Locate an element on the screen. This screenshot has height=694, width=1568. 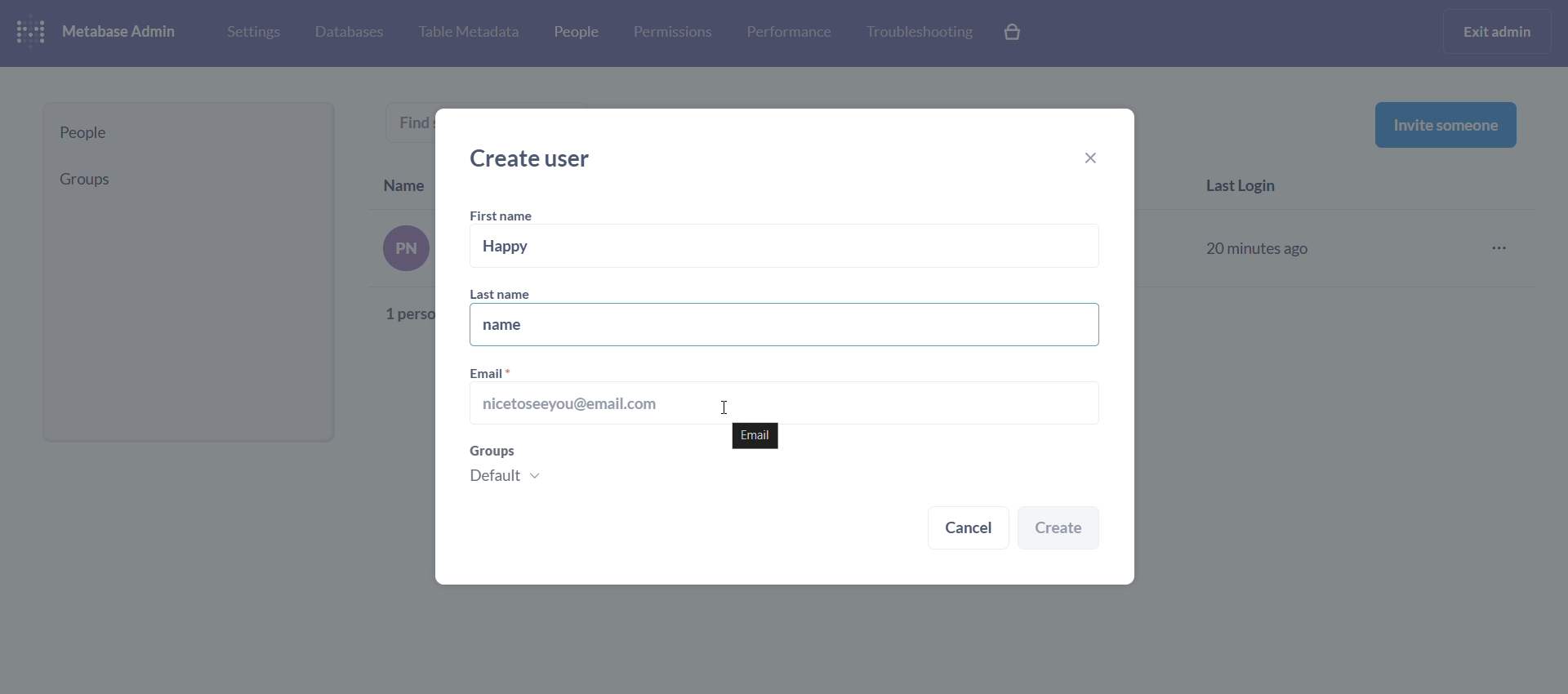
cursor is located at coordinates (724, 407).